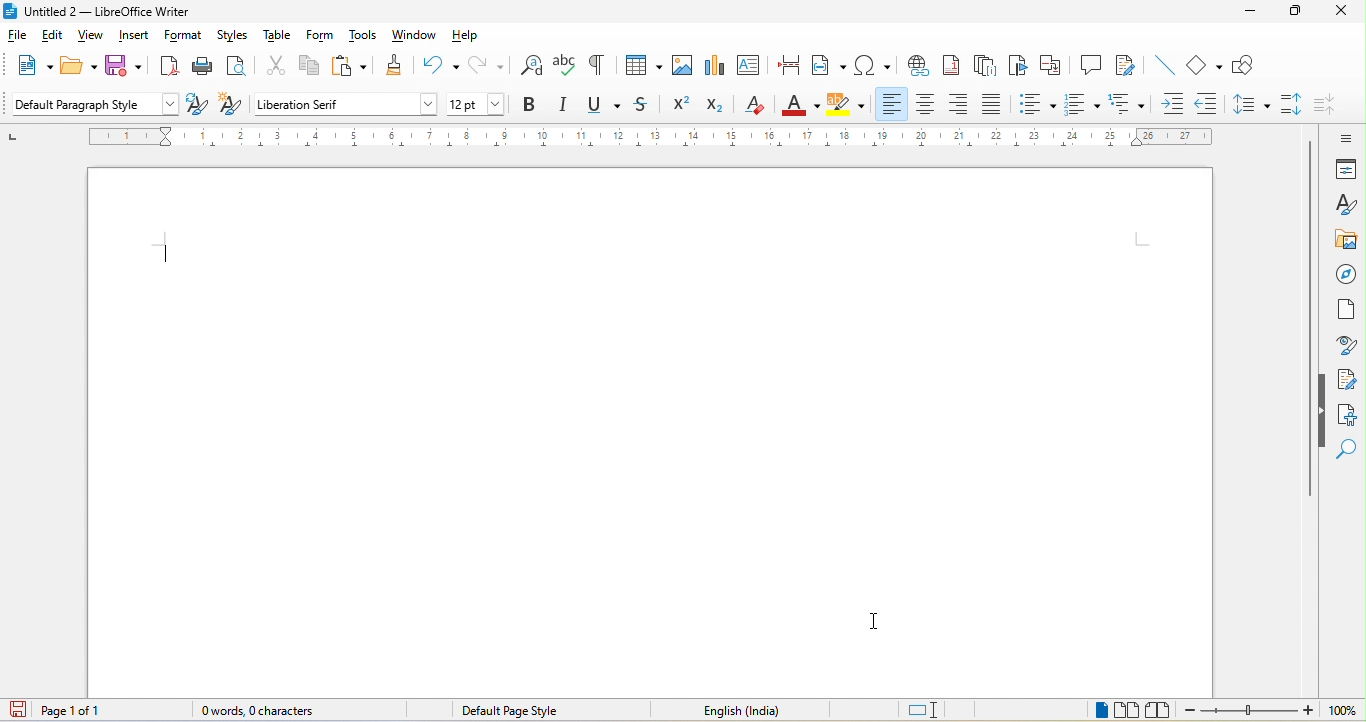 The width and height of the screenshot is (1366, 722). What do you see at coordinates (954, 67) in the screenshot?
I see `footnote` at bounding box center [954, 67].